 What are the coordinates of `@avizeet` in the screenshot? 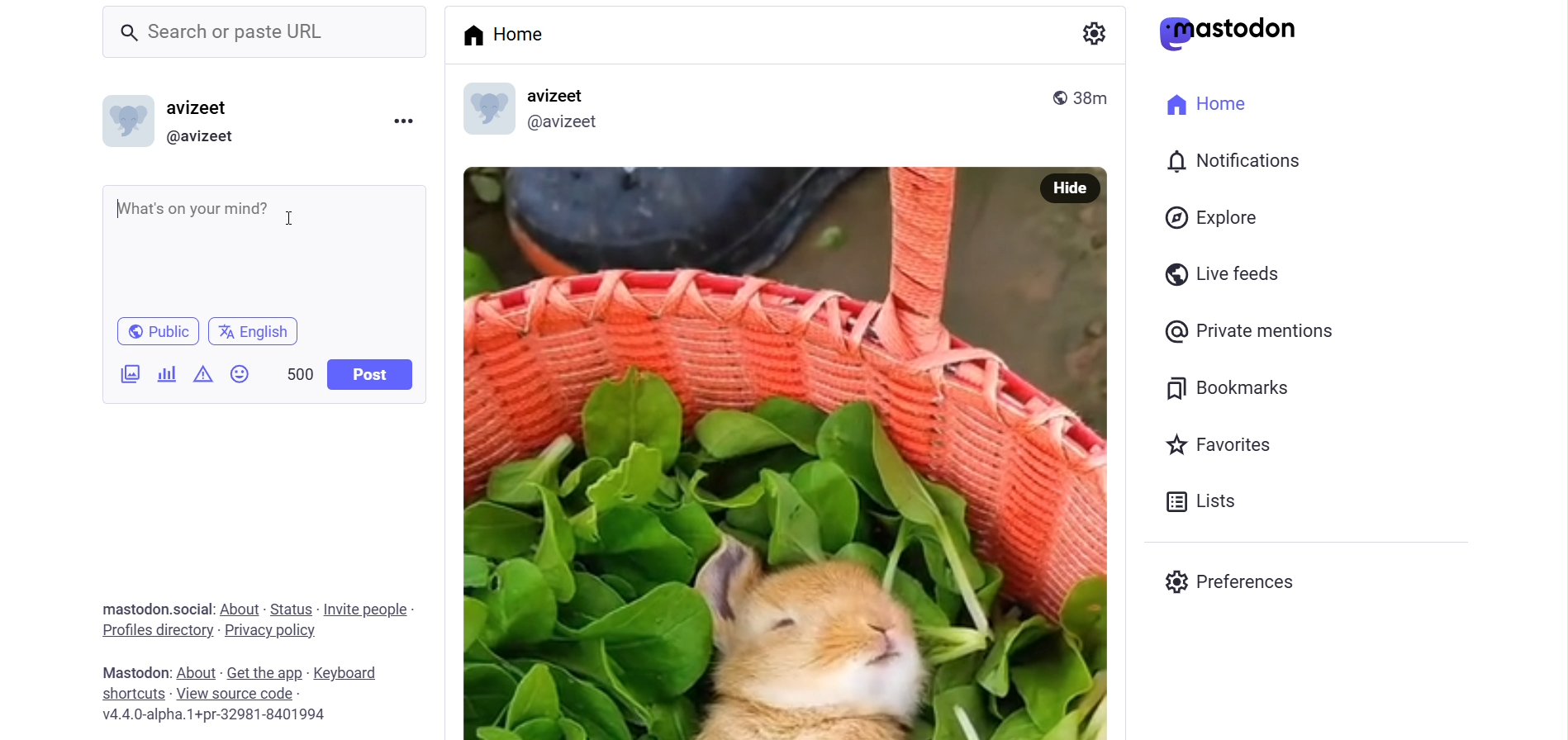 It's located at (207, 137).